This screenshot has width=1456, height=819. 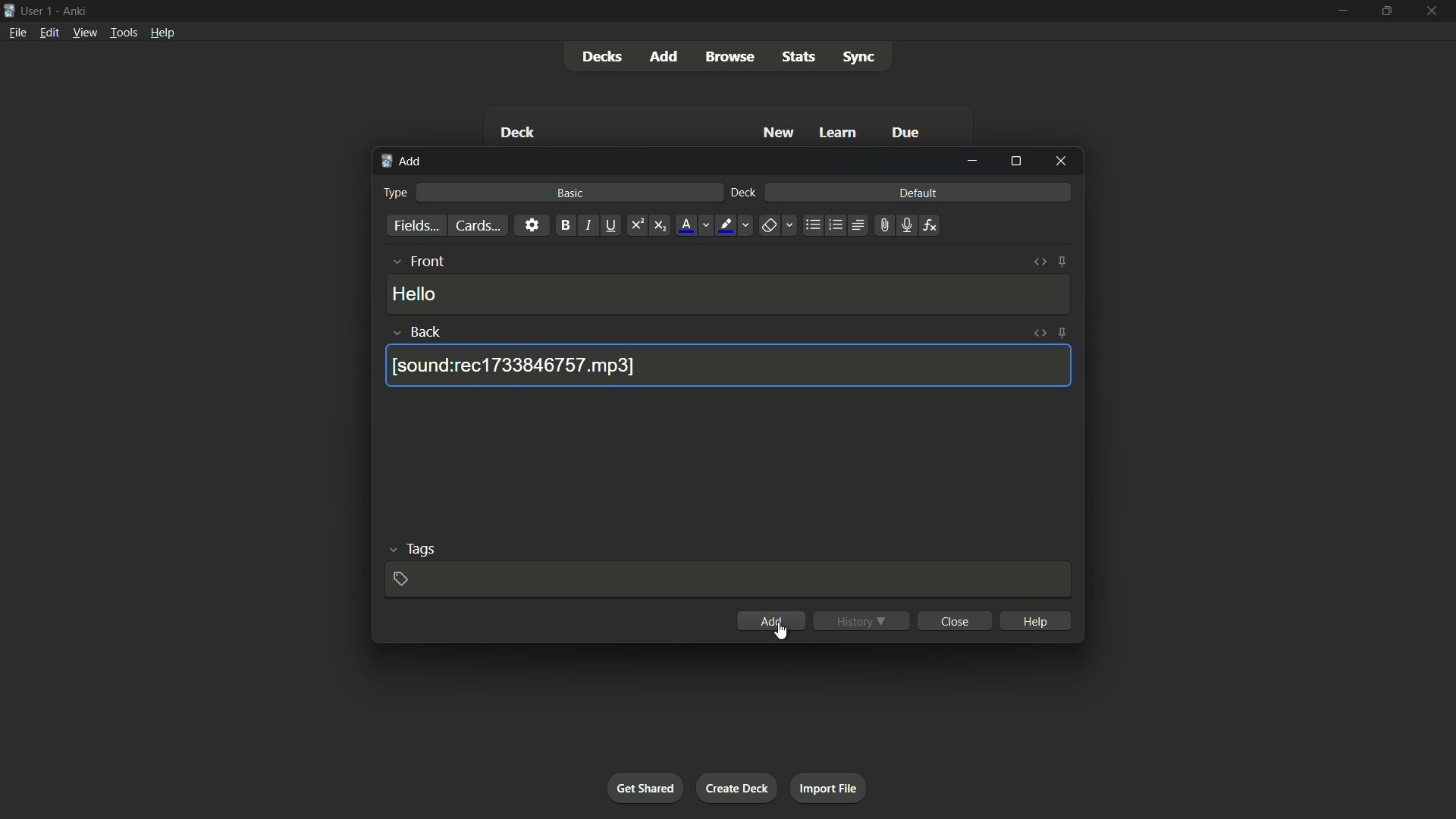 What do you see at coordinates (84, 33) in the screenshot?
I see `view menu` at bounding box center [84, 33].